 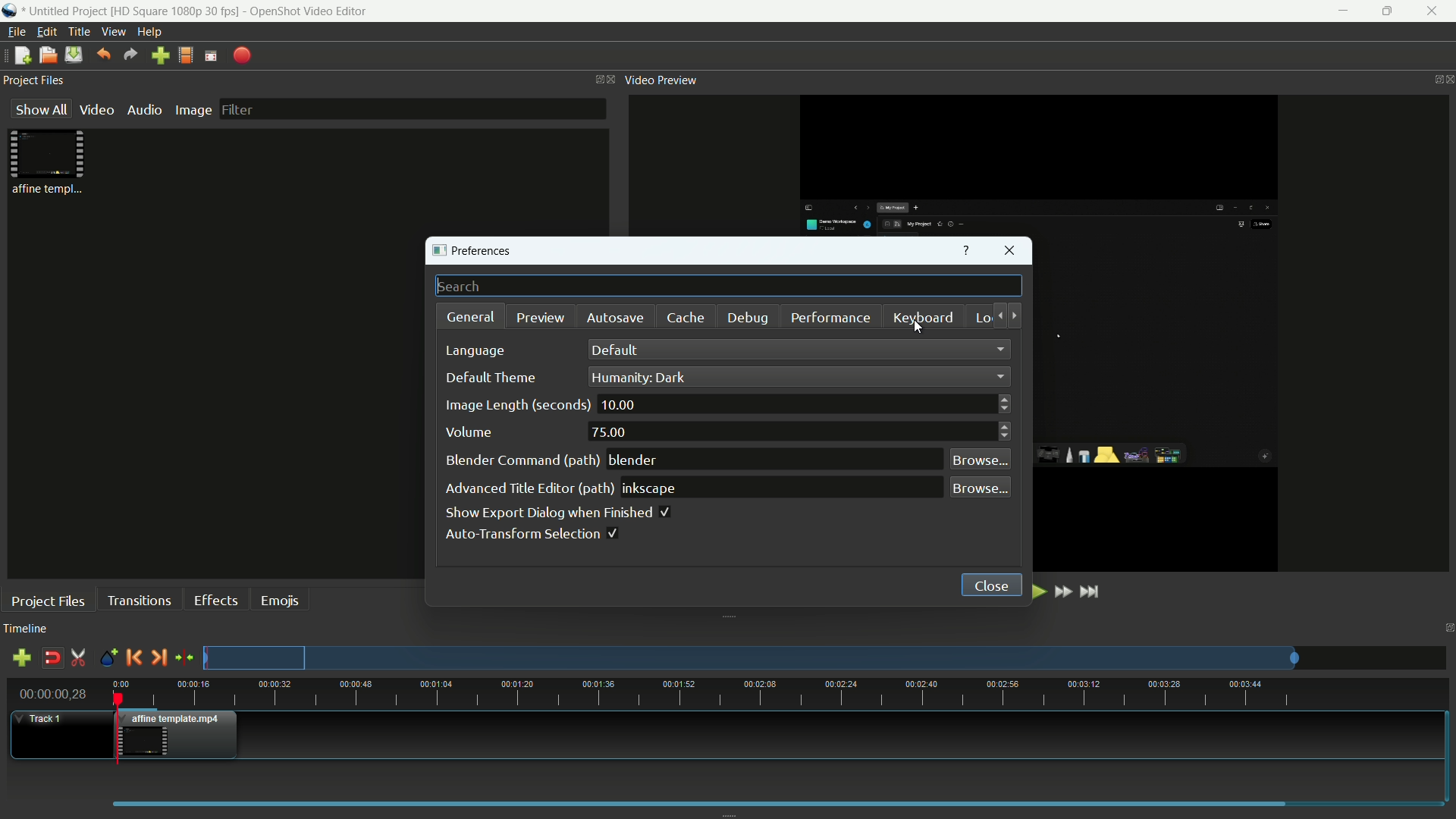 What do you see at coordinates (966, 252) in the screenshot?
I see `get help` at bounding box center [966, 252].